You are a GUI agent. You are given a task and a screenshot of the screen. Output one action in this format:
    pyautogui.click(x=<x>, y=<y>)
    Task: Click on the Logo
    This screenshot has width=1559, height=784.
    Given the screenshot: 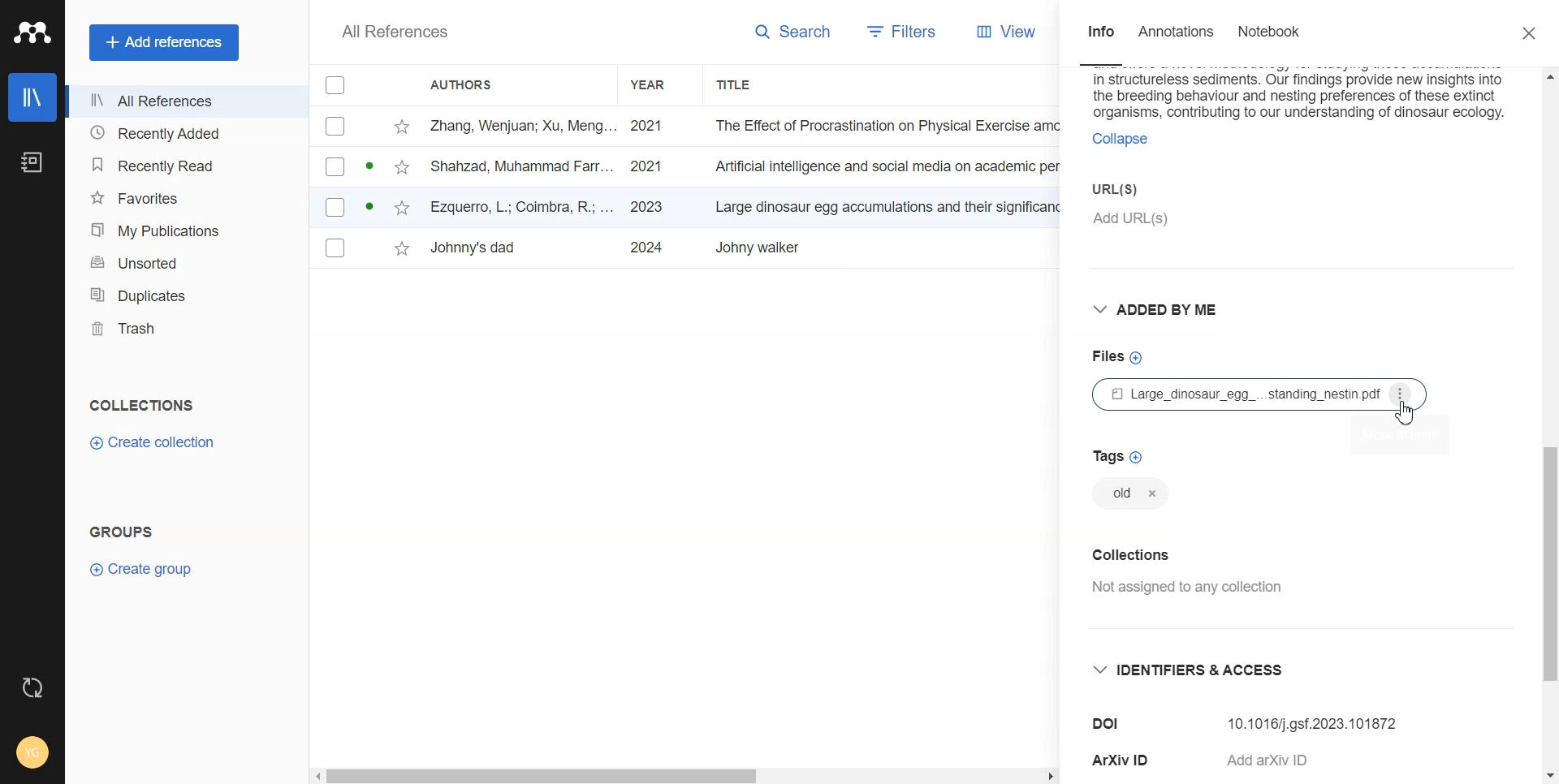 What is the action you would take?
    pyautogui.click(x=32, y=32)
    